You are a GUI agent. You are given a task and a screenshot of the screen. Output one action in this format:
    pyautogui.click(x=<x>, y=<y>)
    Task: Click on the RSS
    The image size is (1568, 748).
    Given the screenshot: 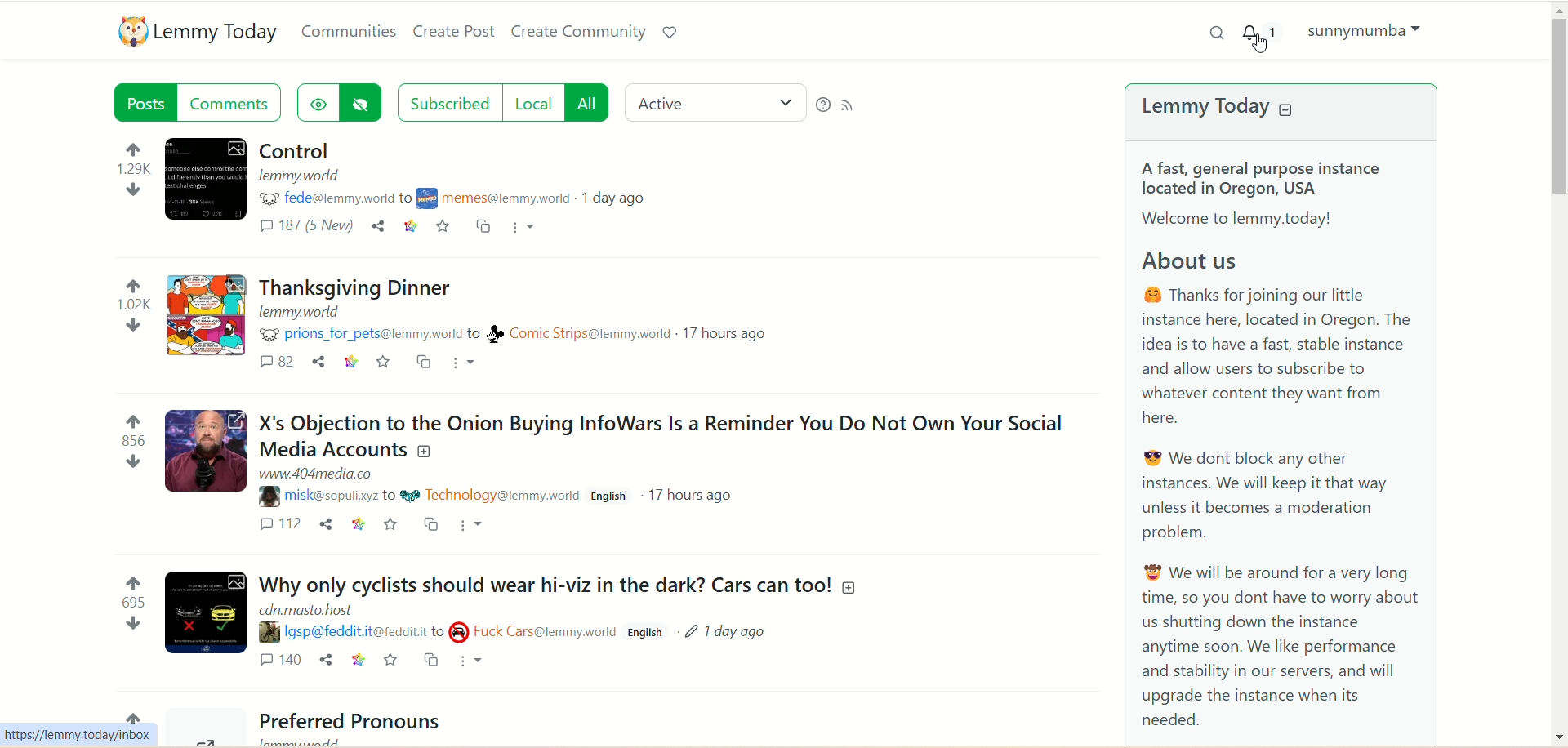 What is the action you would take?
    pyautogui.click(x=846, y=105)
    